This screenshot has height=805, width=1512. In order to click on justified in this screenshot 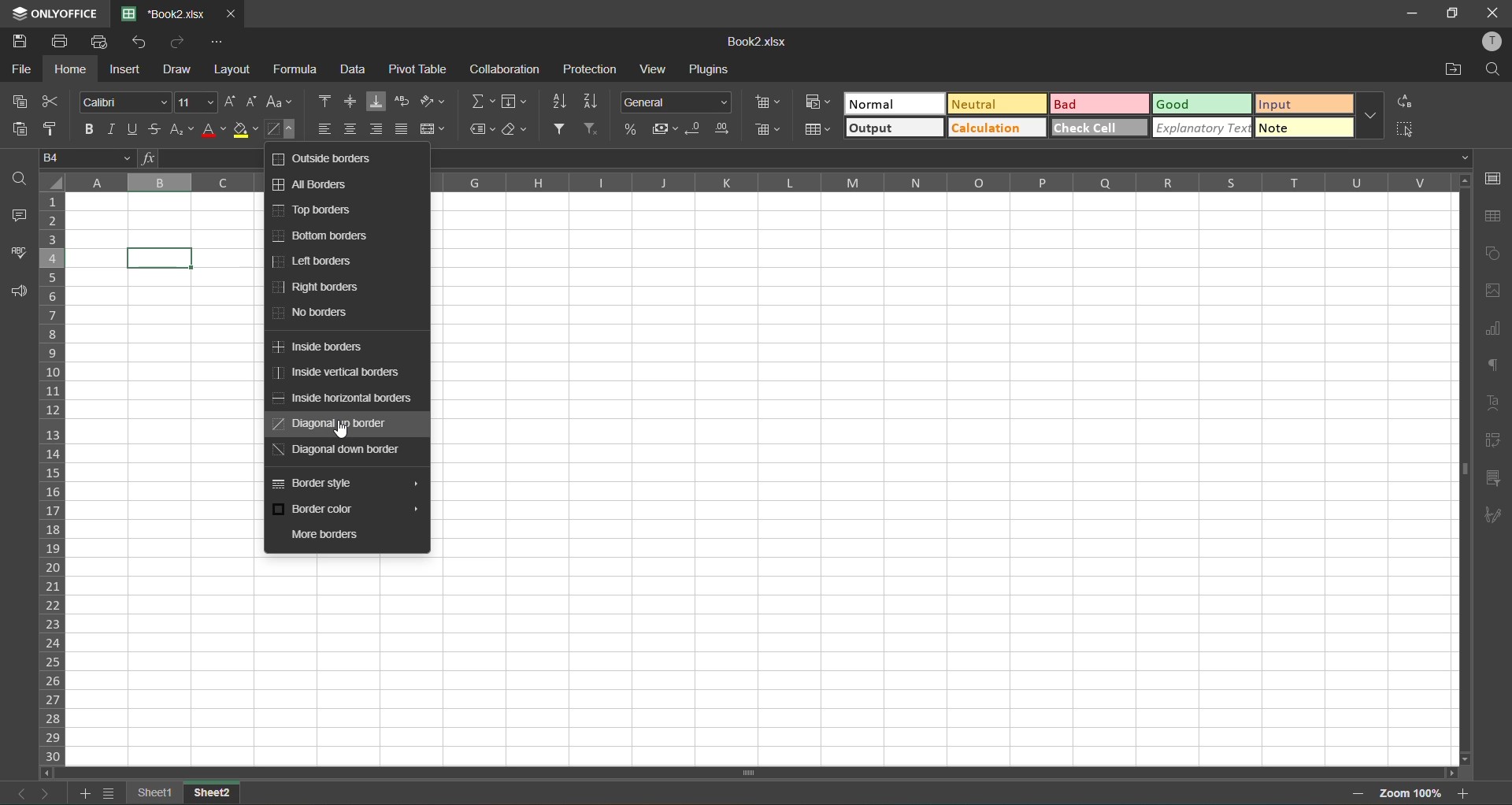, I will do `click(402, 128)`.